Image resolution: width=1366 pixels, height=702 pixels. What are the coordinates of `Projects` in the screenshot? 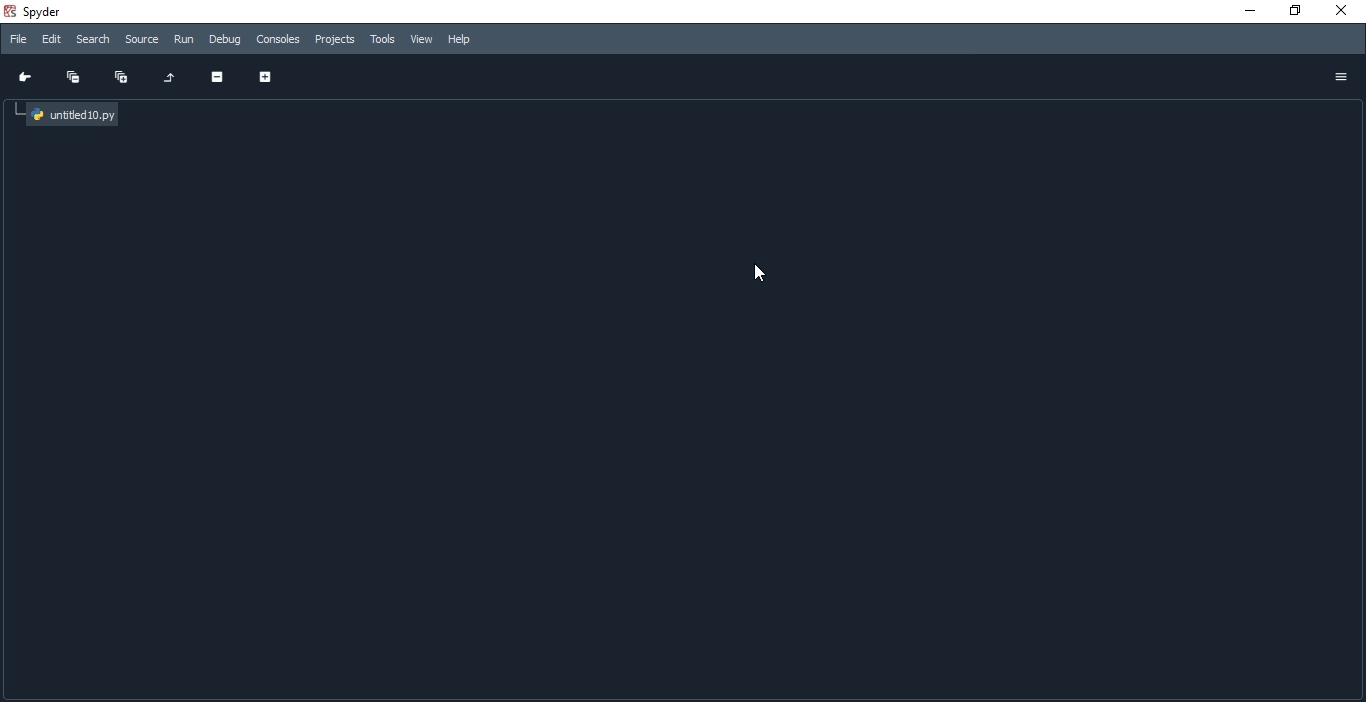 It's located at (335, 38).